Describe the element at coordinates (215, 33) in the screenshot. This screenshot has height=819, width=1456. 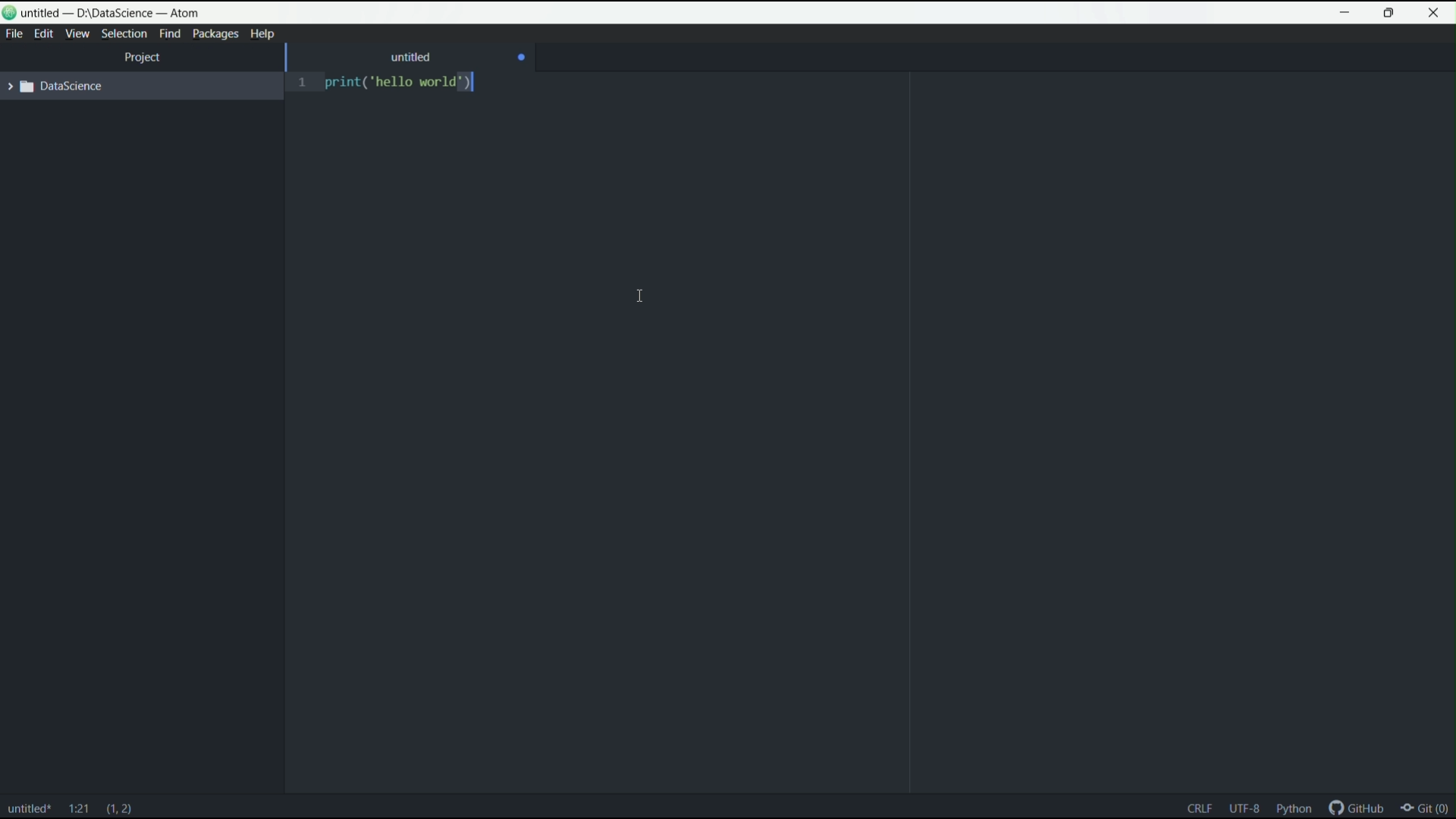
I see `packages menu` at that location.